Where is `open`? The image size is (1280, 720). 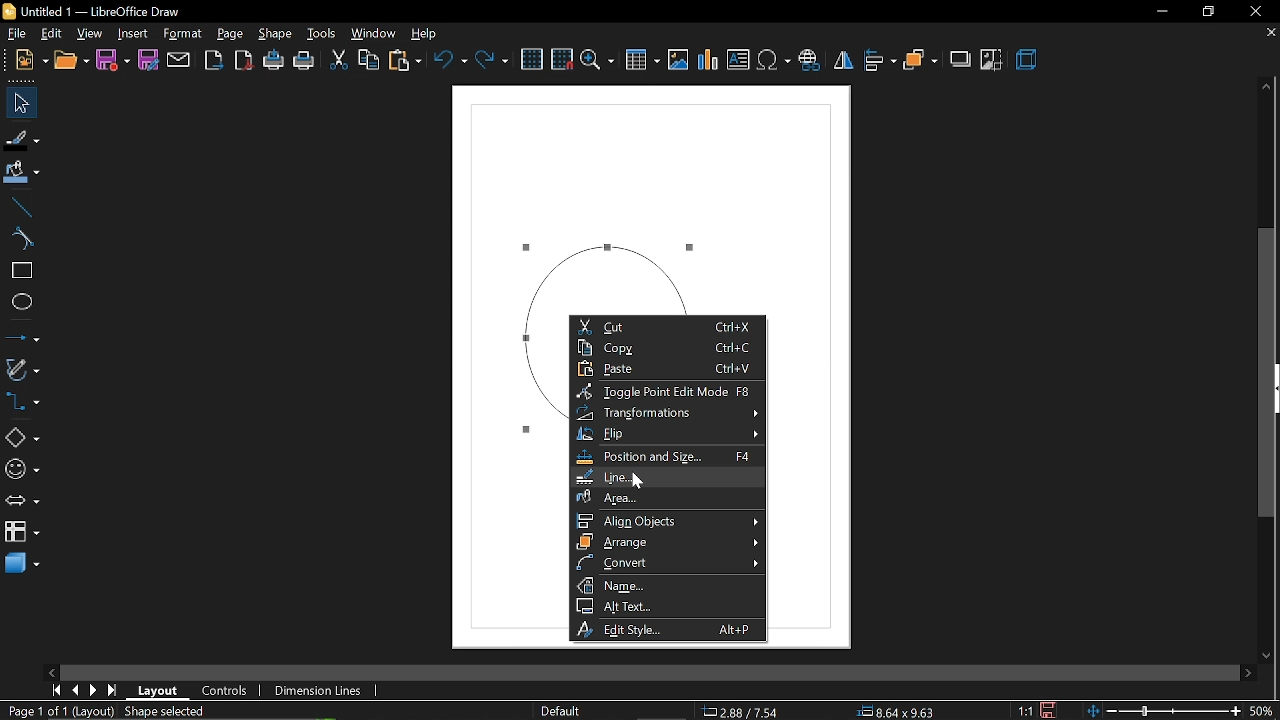 open is located at coordinates (30, 60).